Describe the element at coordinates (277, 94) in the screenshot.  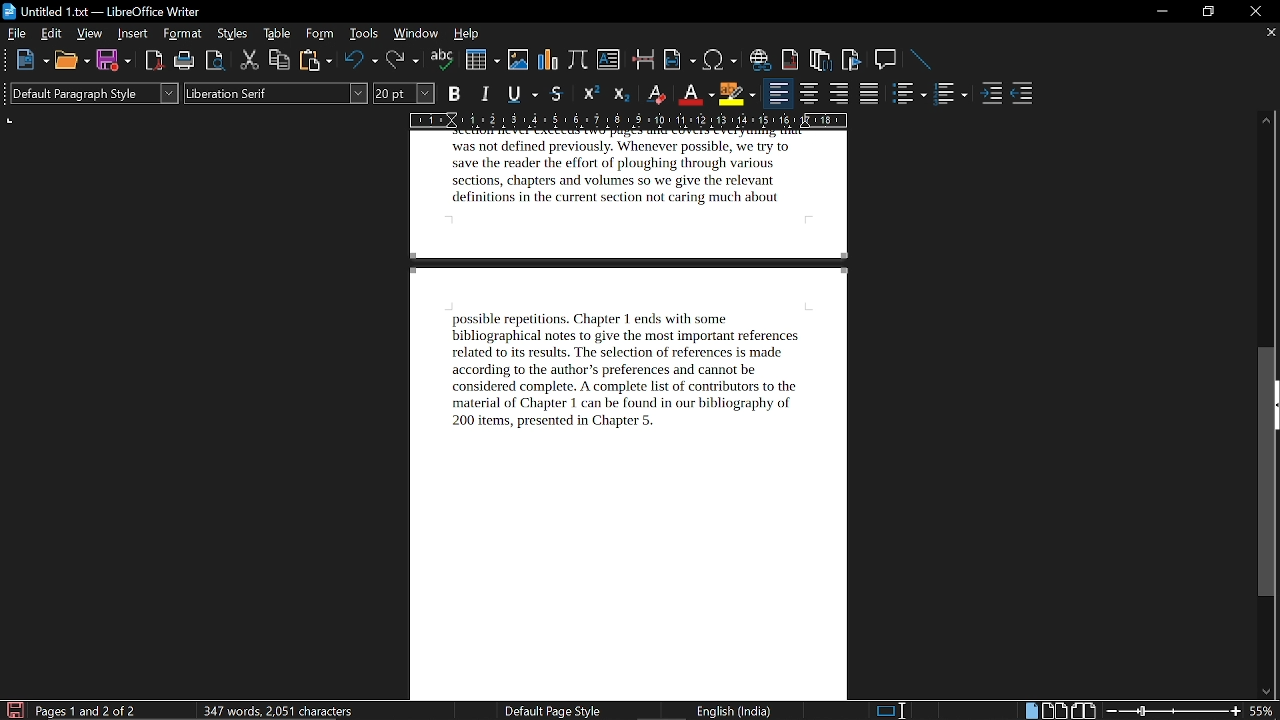
I see `font style` at that location.